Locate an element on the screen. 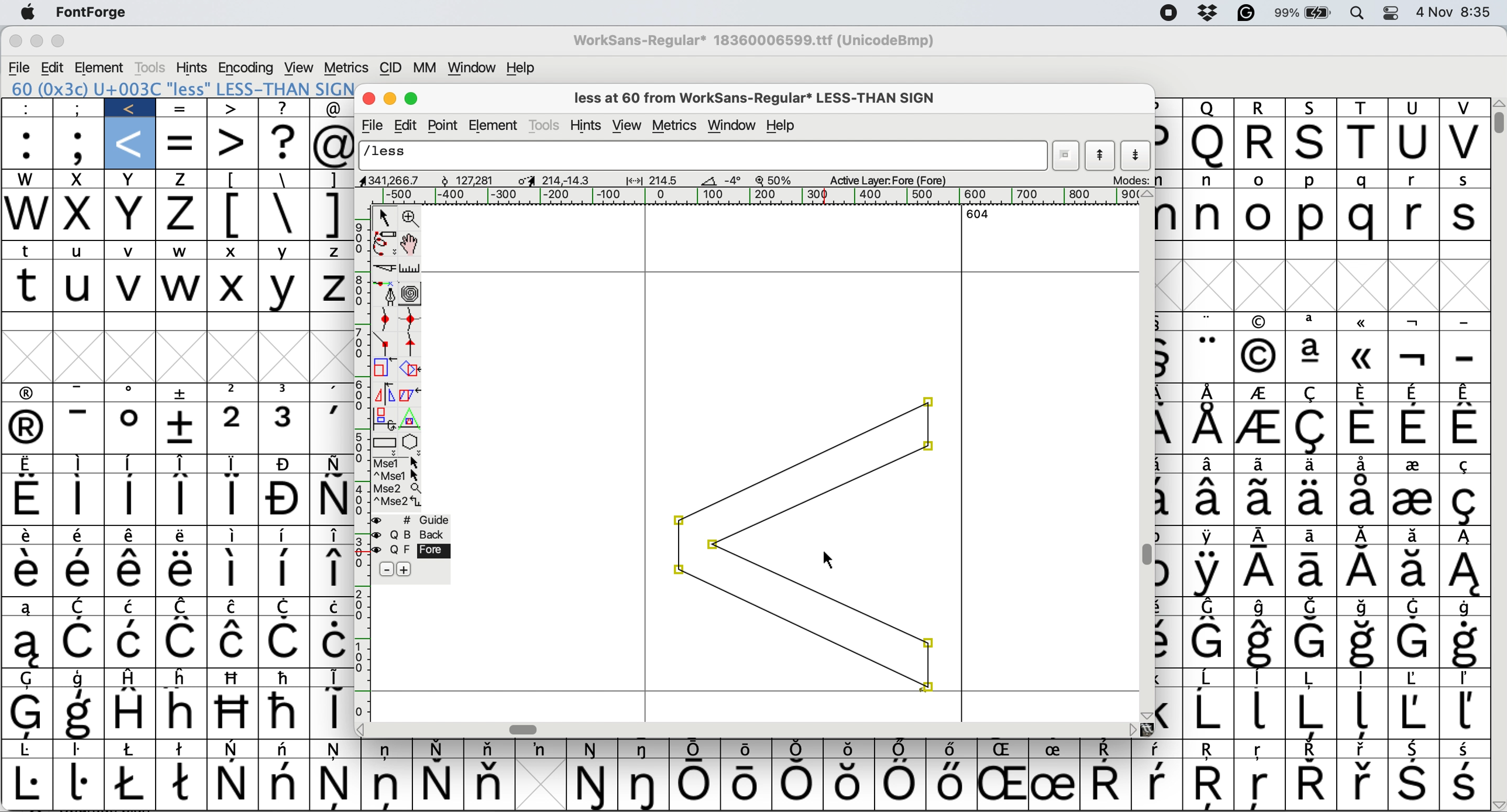  Symbol is located at coordinates (1261, 500).